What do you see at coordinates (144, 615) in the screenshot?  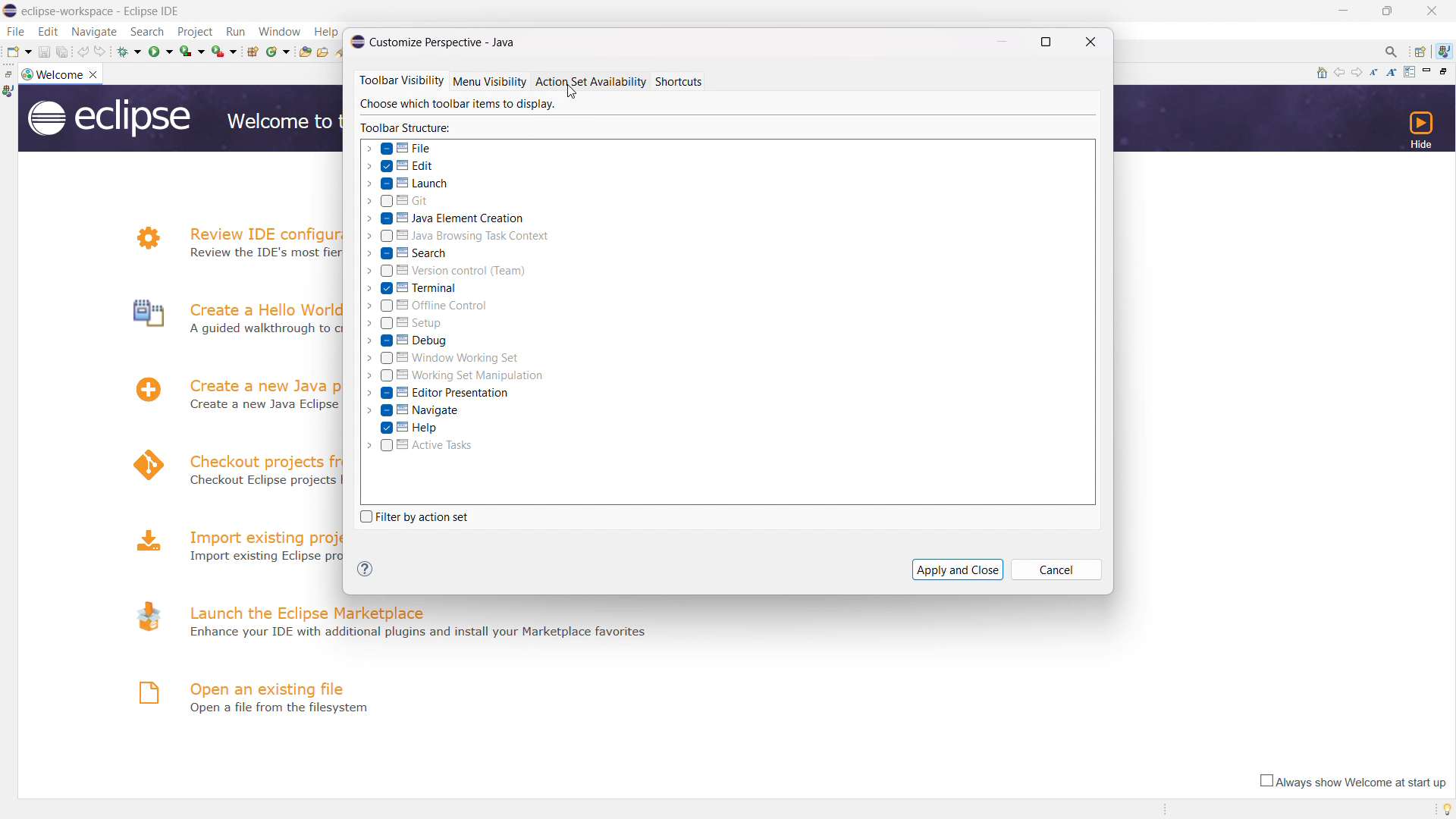 I see `logo` at bounding box center [144, 615].